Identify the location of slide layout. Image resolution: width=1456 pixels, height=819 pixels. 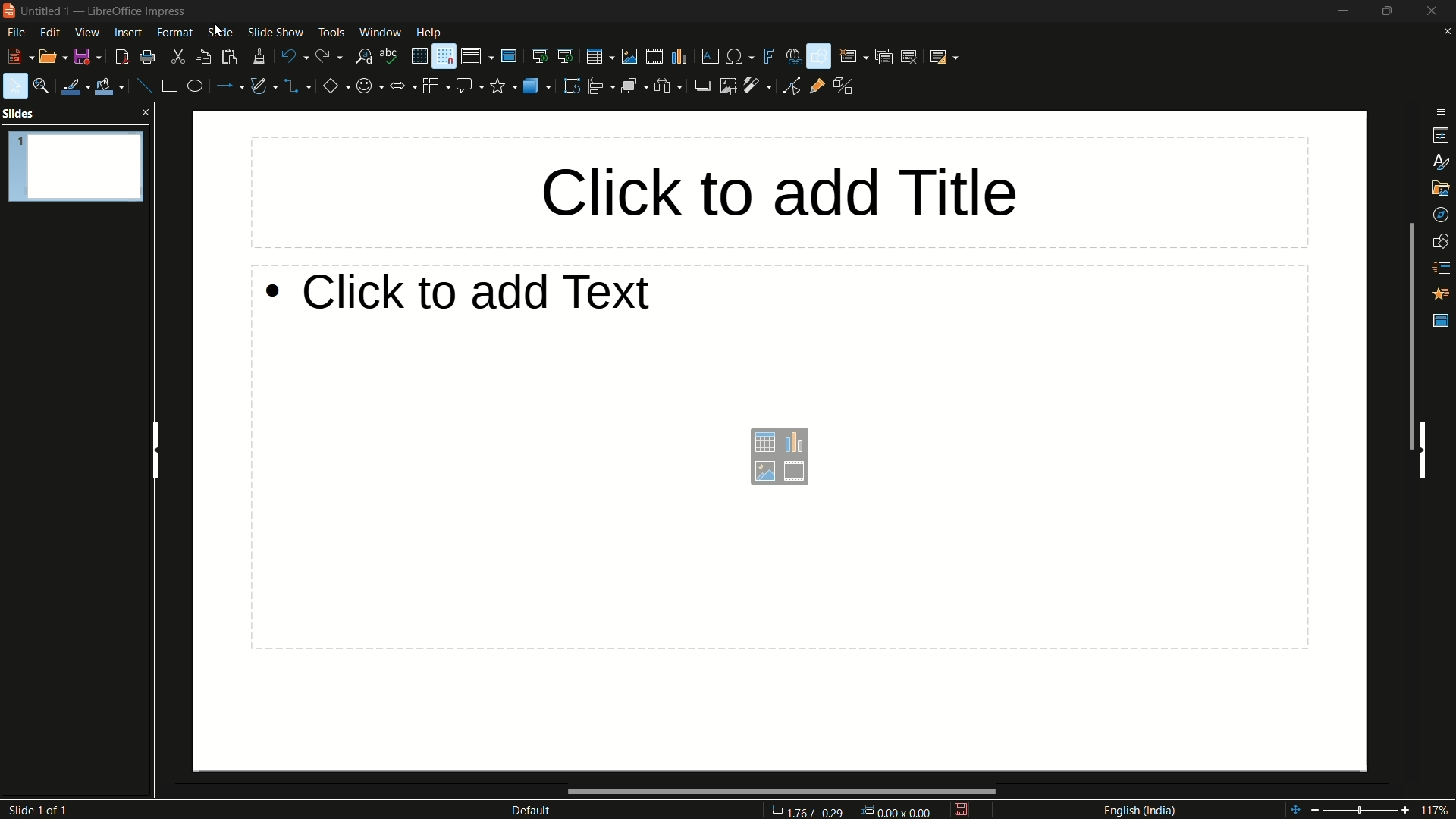
(945, 56).